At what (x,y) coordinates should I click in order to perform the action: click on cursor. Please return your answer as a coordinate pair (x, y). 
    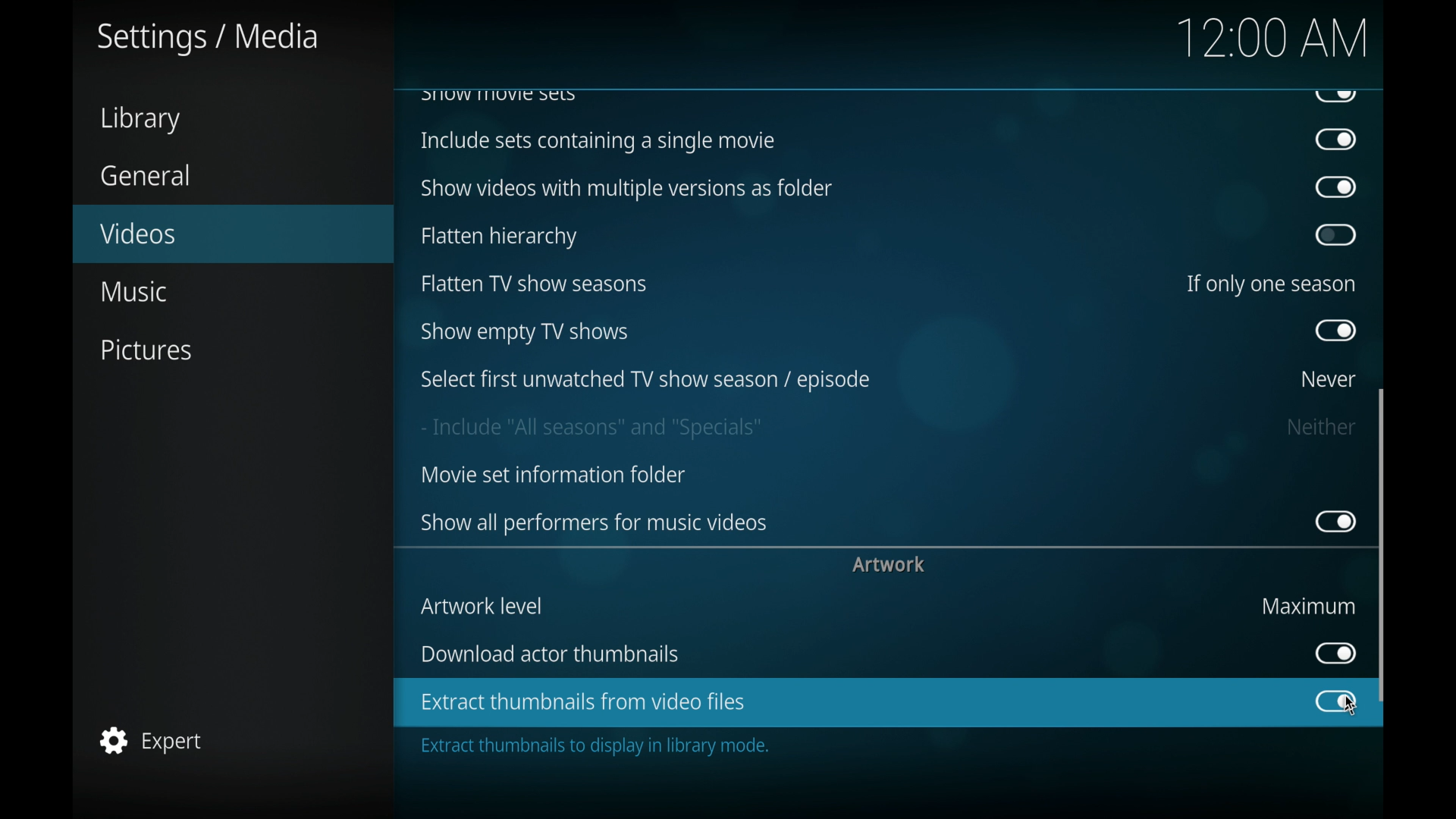
    Looking at the image, I should click on (1351, 704).